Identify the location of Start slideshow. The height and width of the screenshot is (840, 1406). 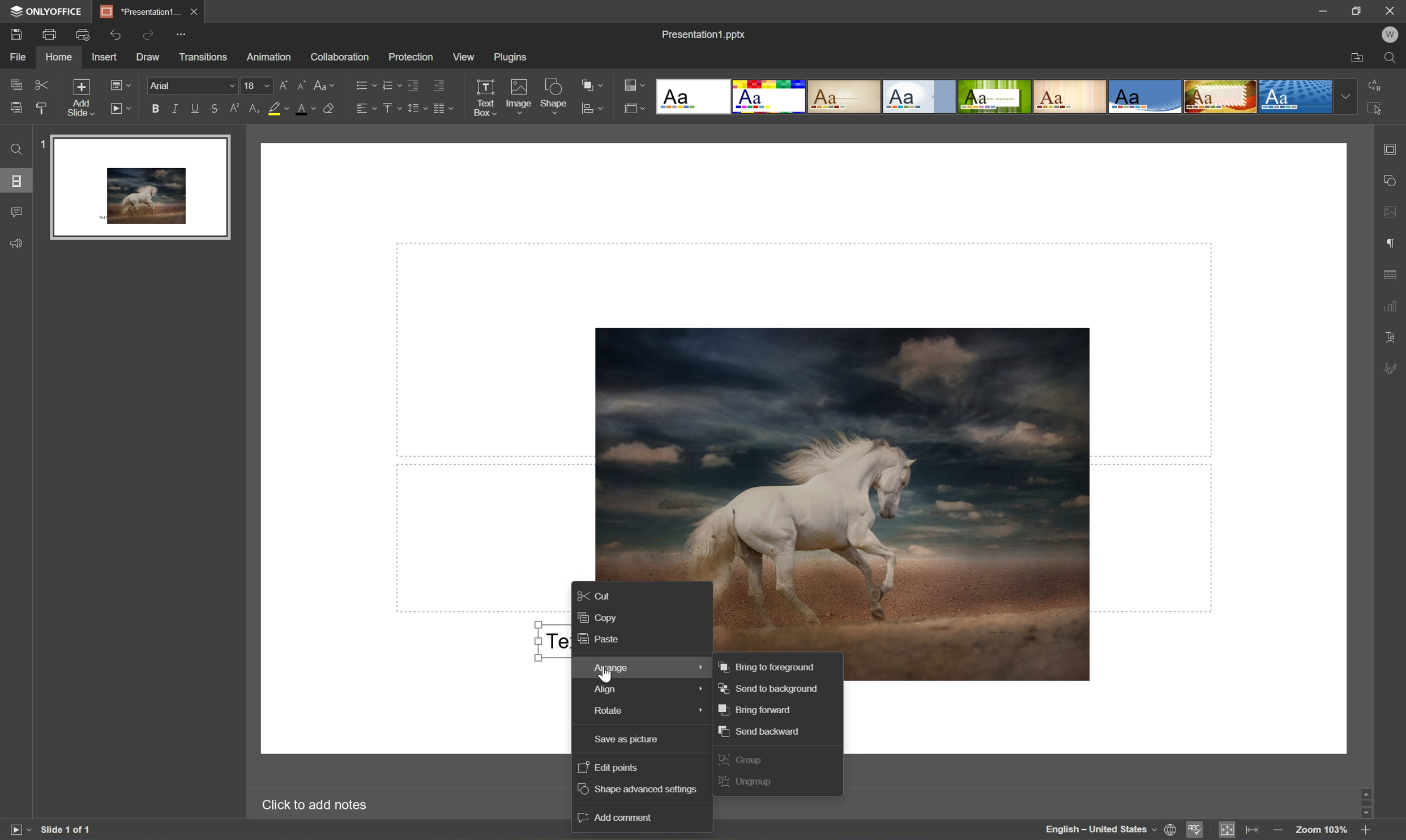
(16, 832).